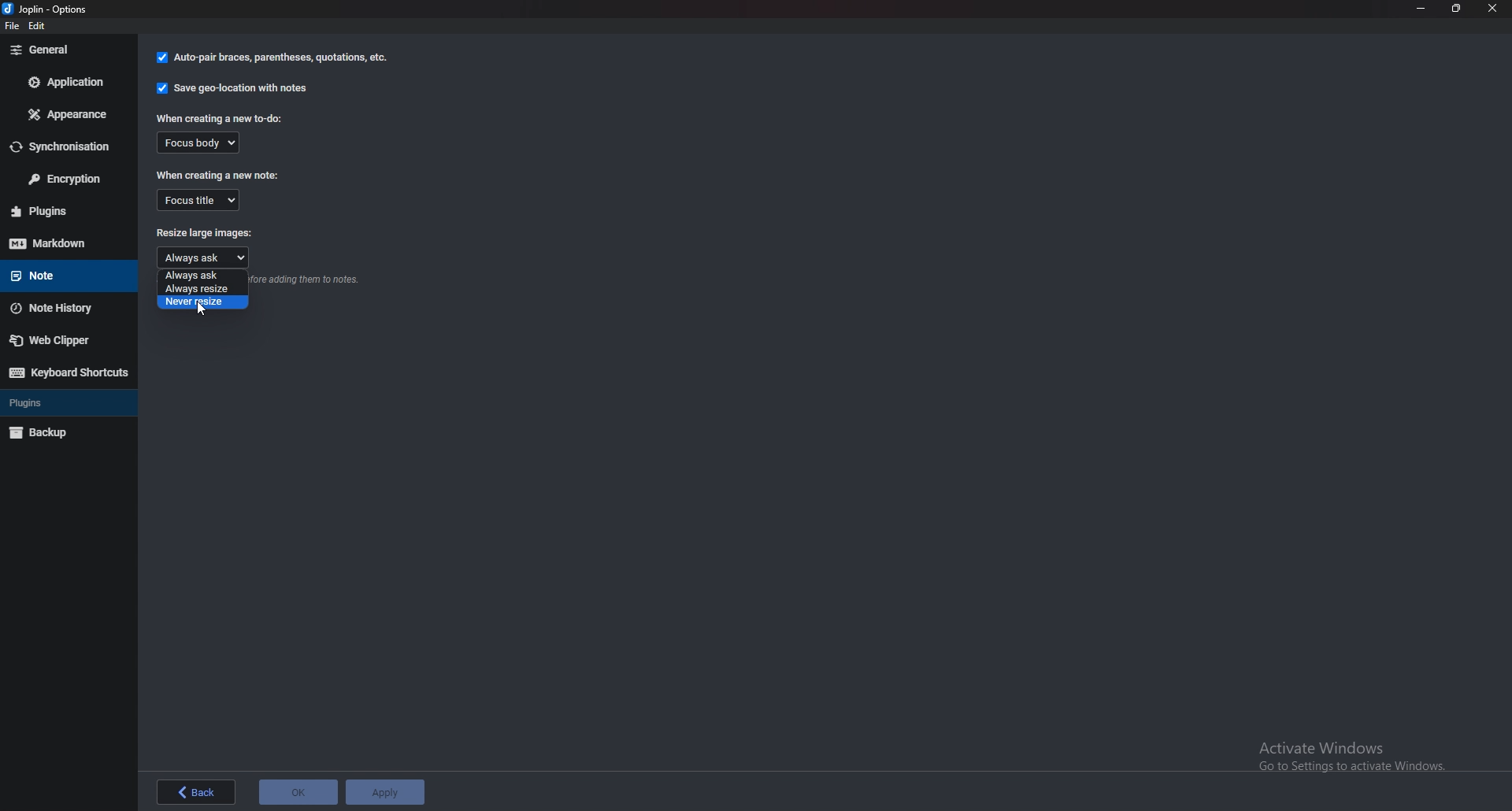 The image size is (1512, 811). What do you see at coordinates (1422, 8) in the screenshot?
I see `Minimize` at bounding box center [1422, 8].